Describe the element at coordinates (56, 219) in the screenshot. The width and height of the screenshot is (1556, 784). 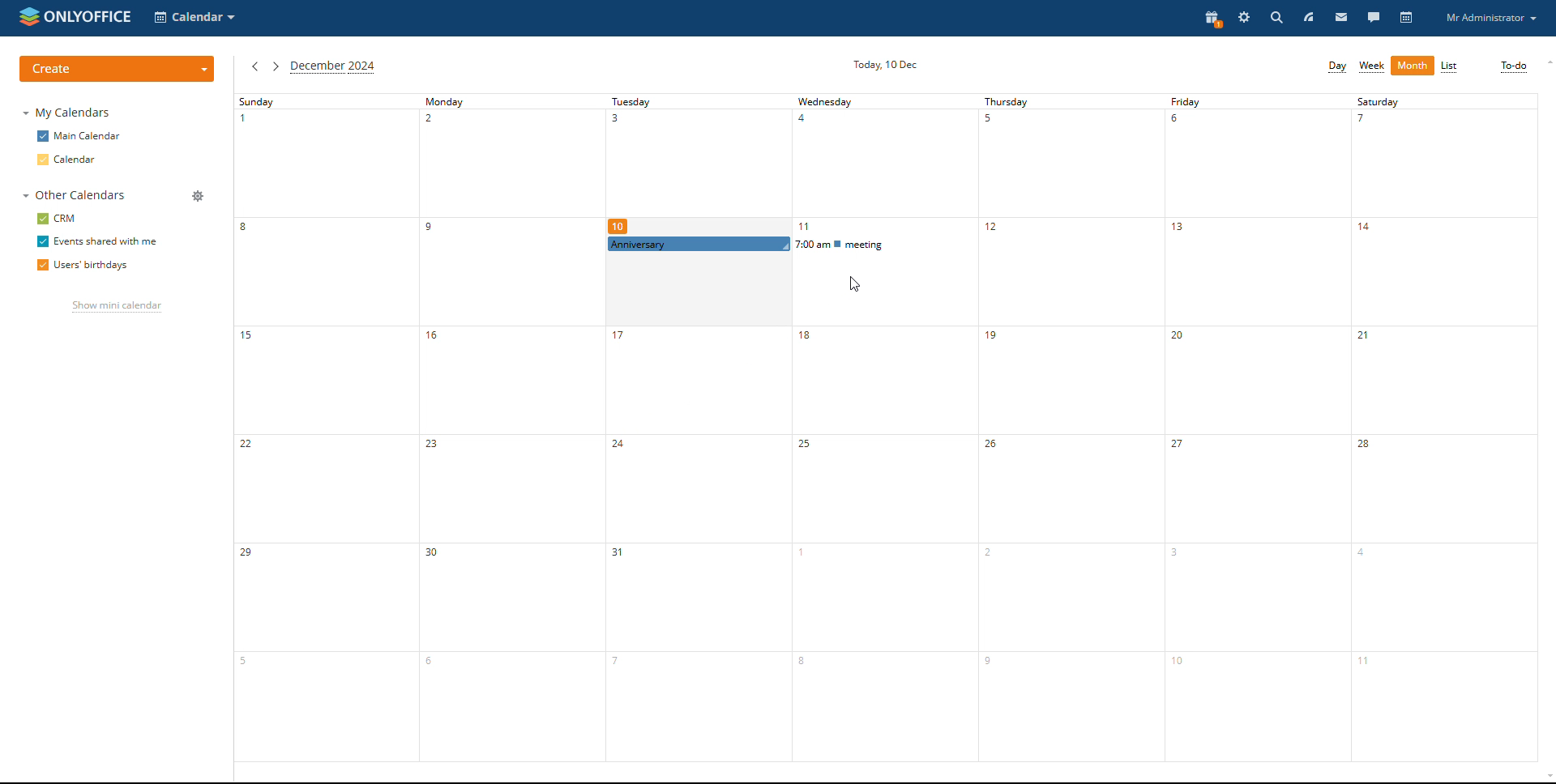
I see `crm` at that location.